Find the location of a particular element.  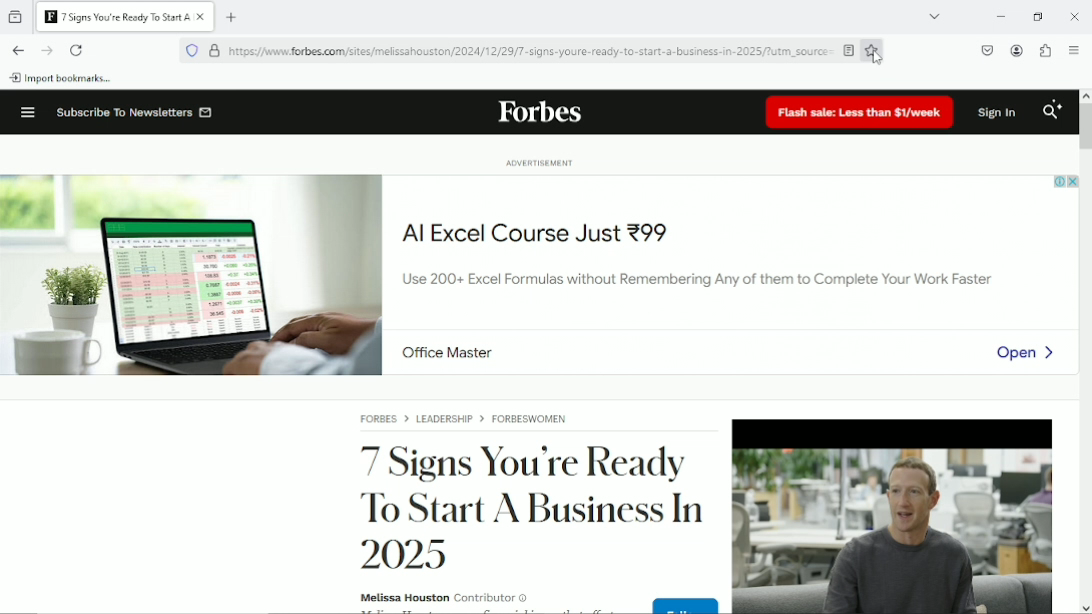

Bookmark this page is located at coordinates (874, 51).